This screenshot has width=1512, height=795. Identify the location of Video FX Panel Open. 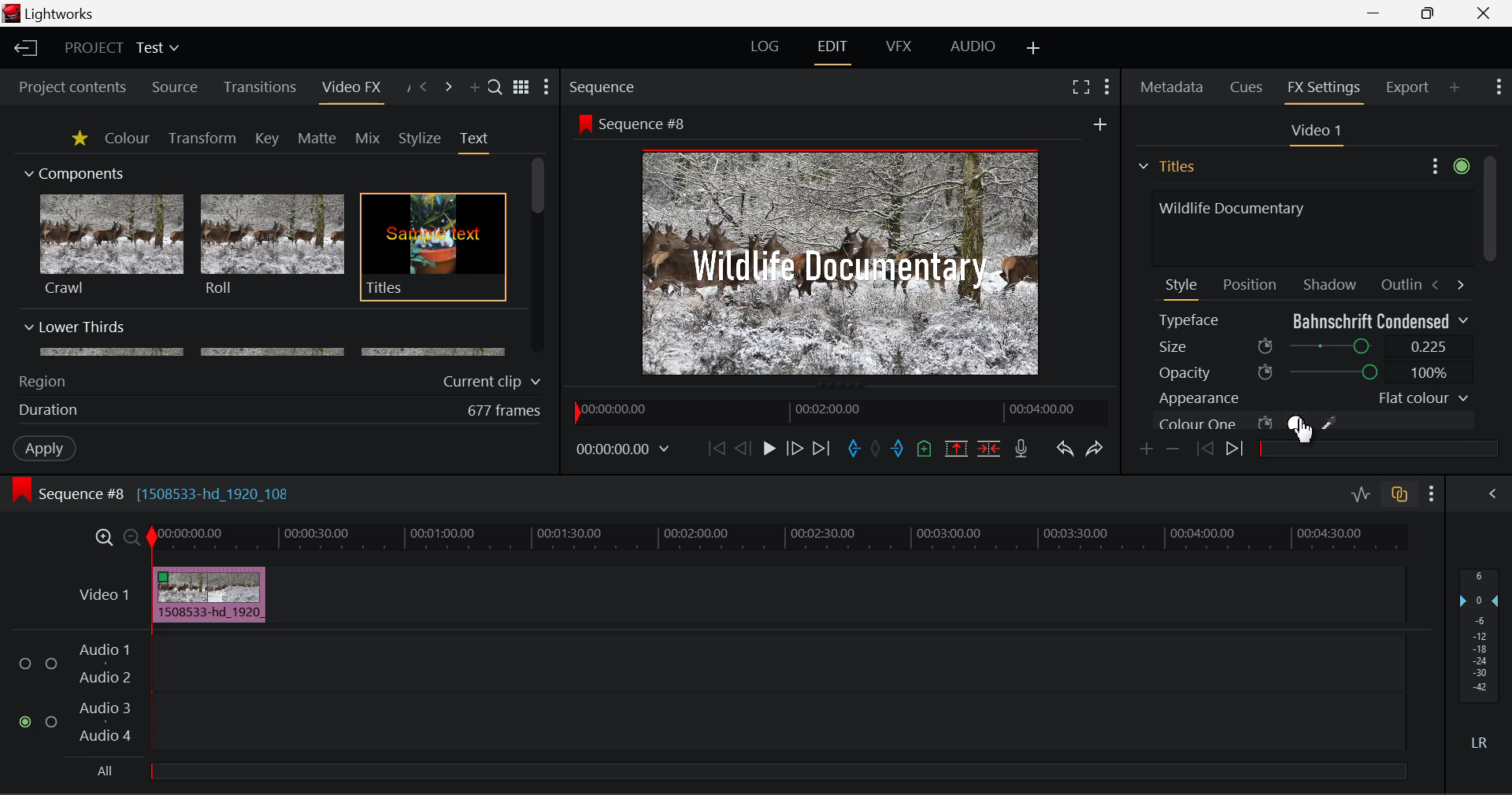
(350, 89).